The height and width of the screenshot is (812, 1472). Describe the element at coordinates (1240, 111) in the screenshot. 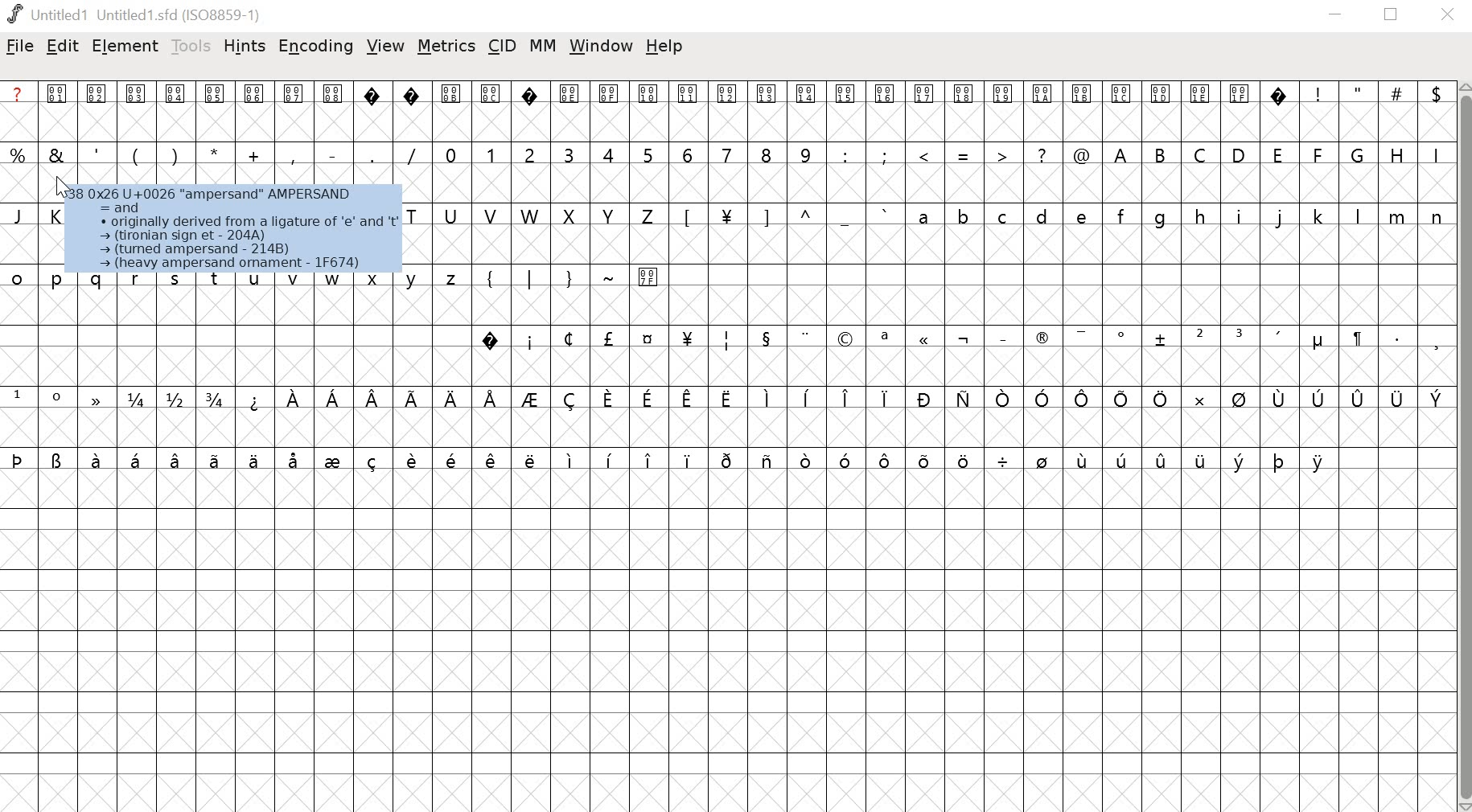

I see `001F` at that location.